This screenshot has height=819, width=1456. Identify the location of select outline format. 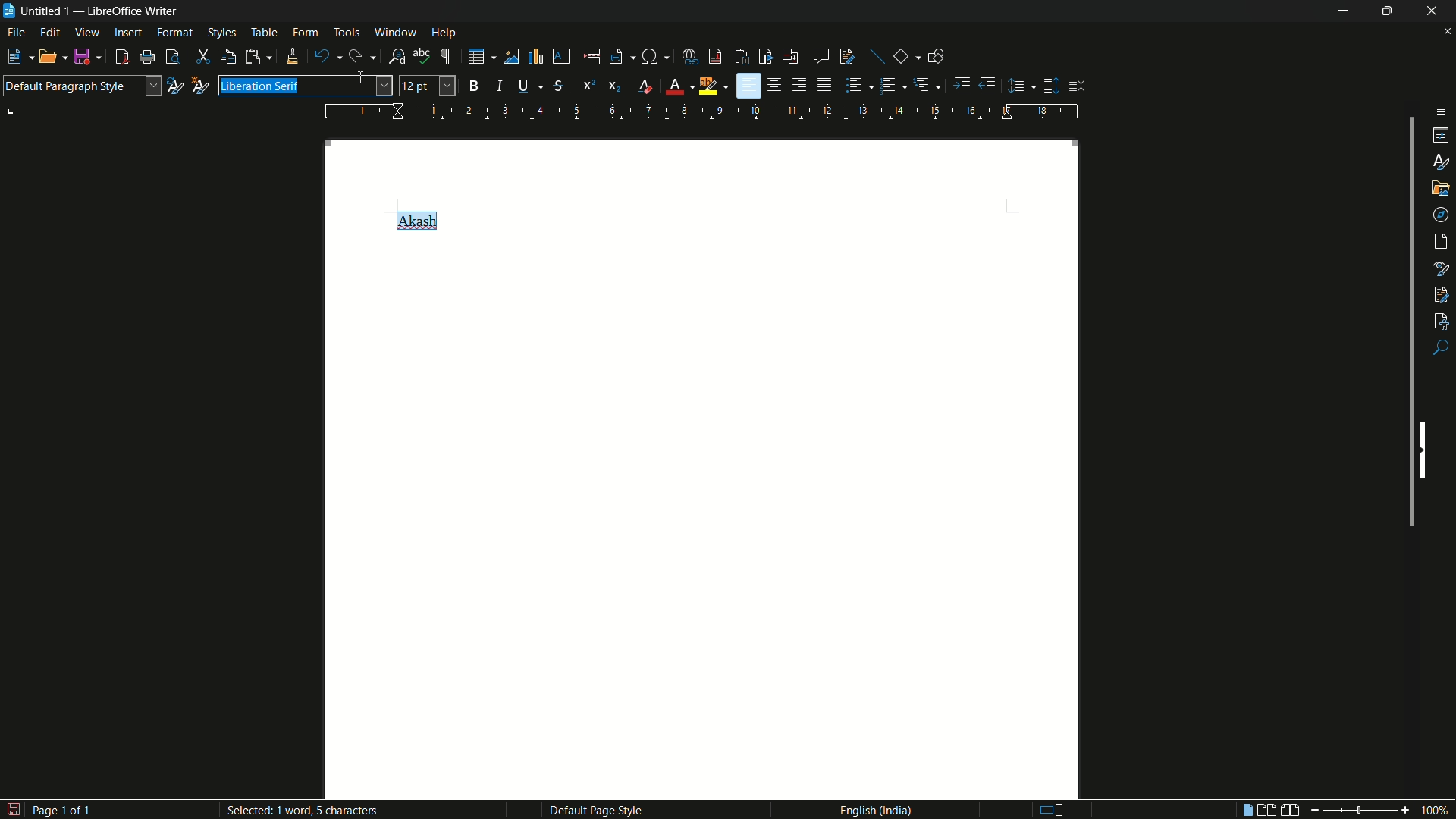
(923, 85).